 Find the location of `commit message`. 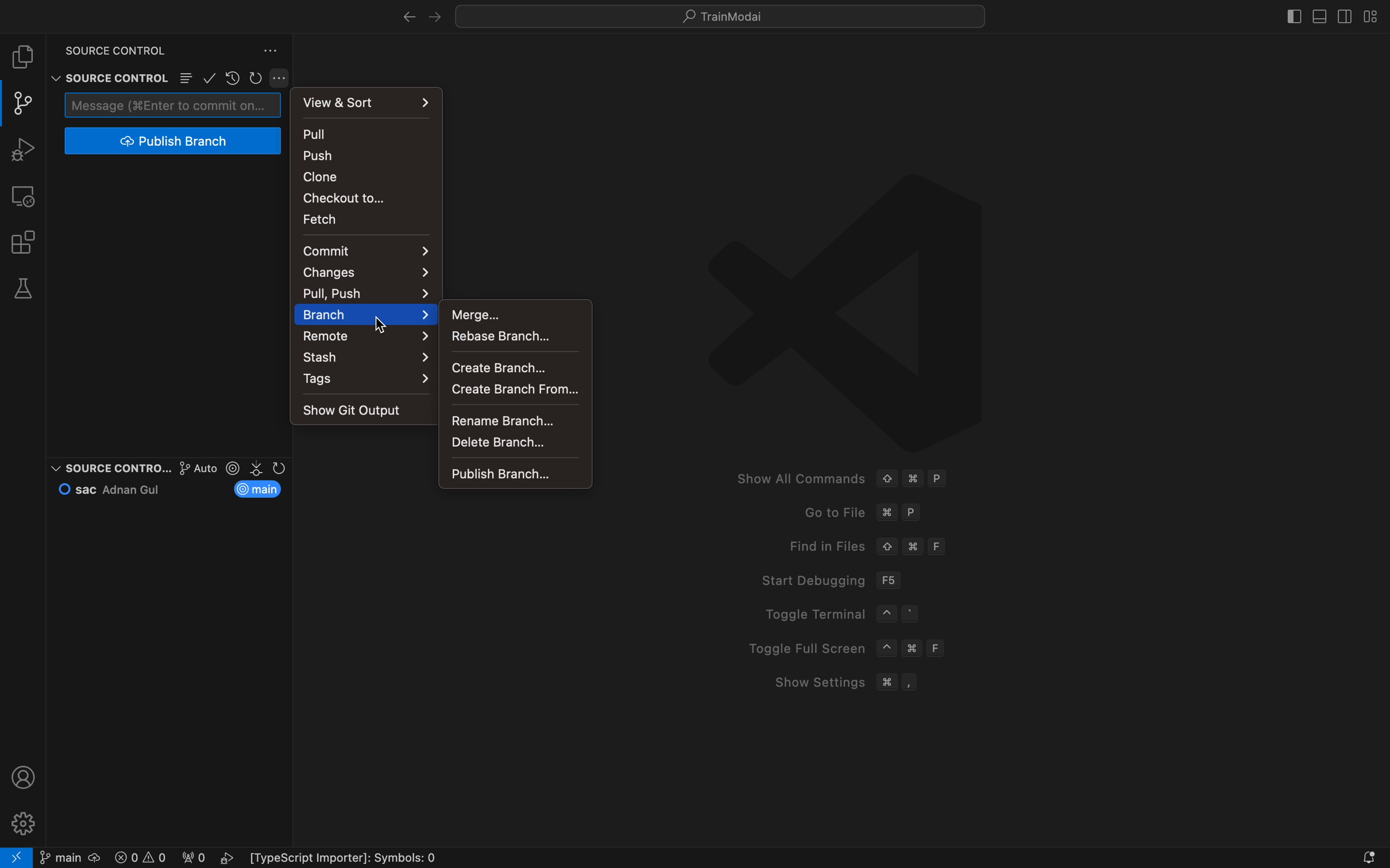

commit message is located at coordinates (173, 104).